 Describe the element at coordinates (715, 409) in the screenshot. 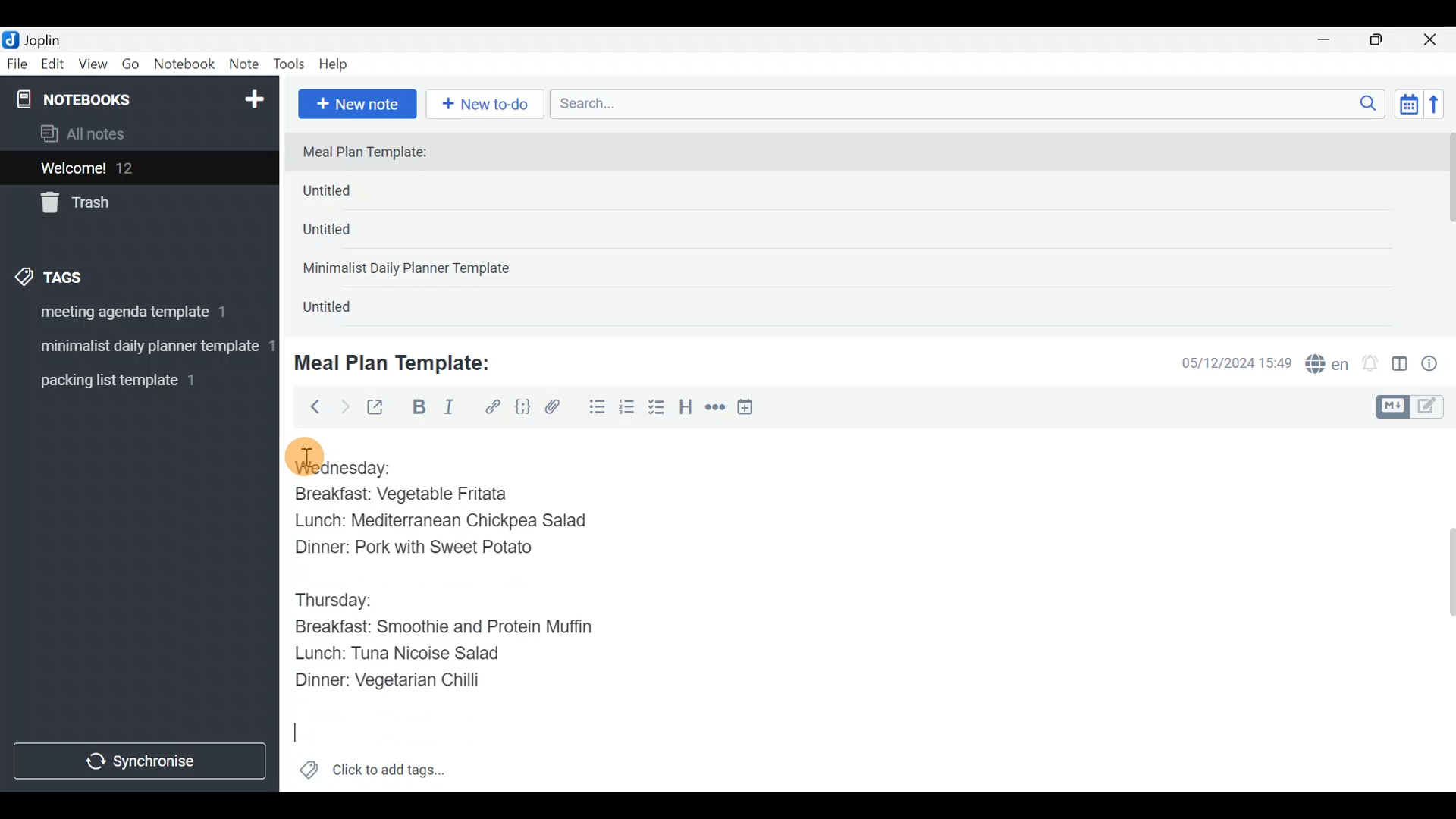

I see `Horizontal rule` at that location.